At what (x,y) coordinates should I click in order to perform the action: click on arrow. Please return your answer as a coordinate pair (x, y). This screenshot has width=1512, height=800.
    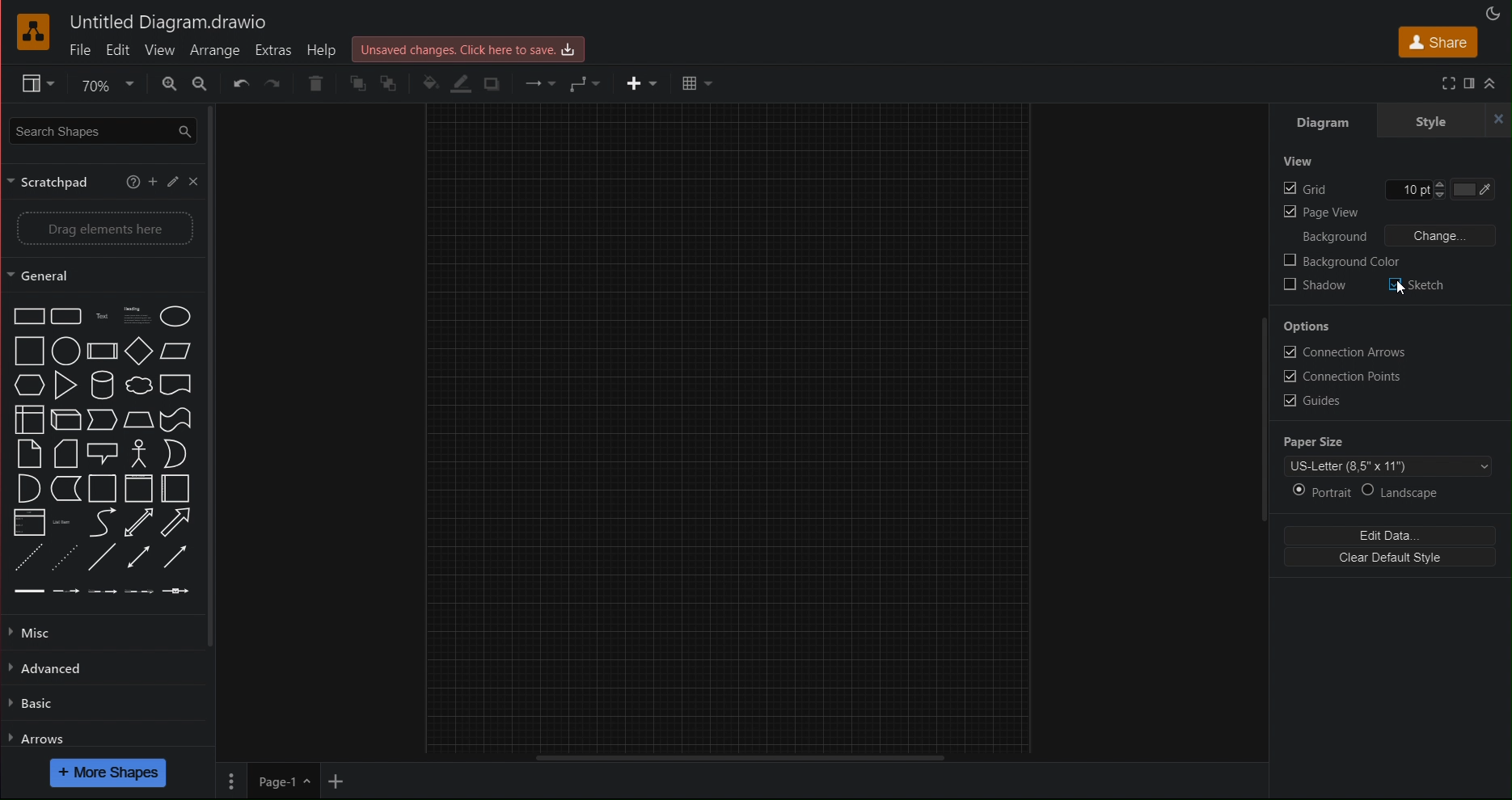
    Looking at the image, I should click on (175, 522).